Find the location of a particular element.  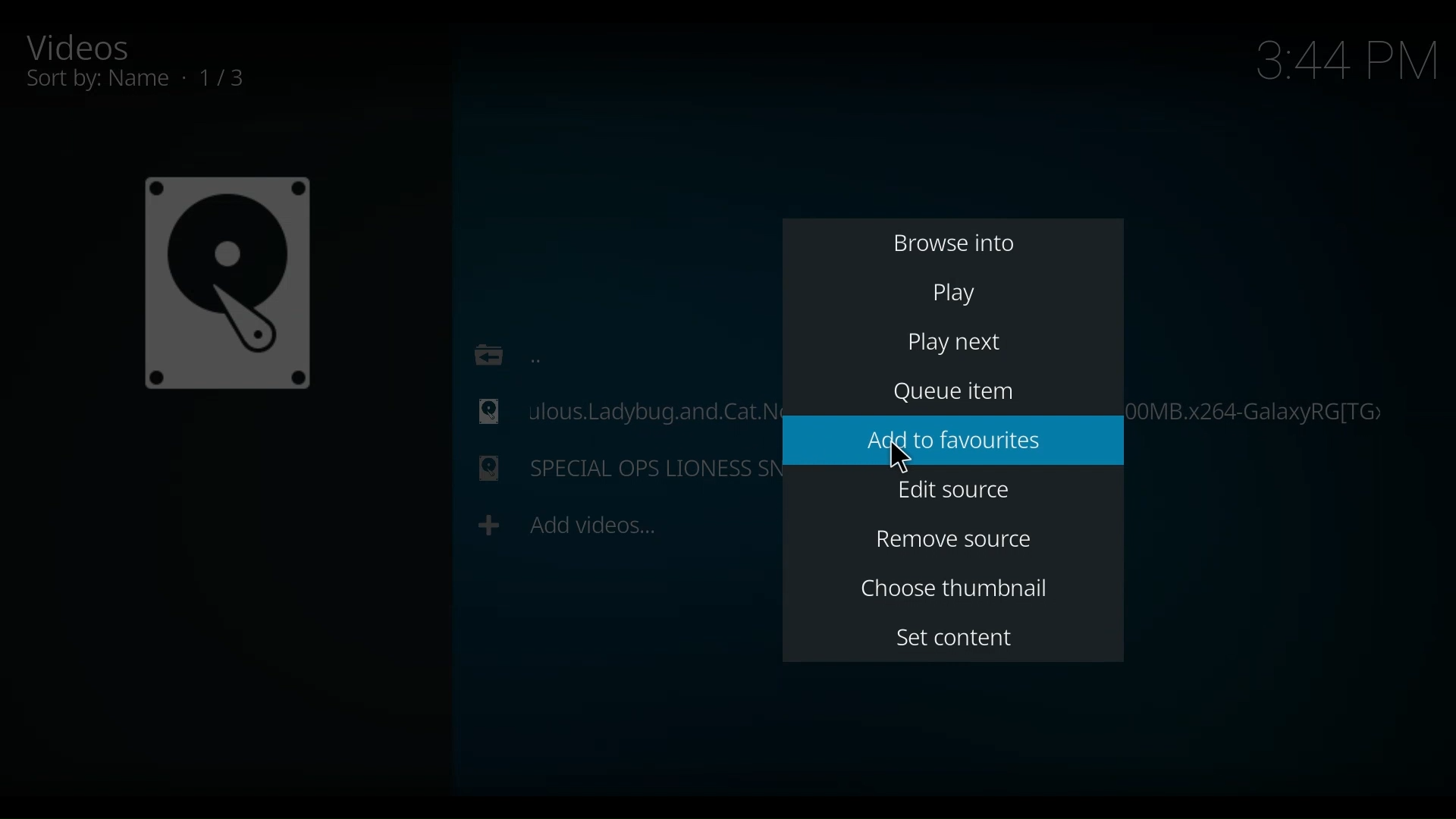

Browse into is located at coordinates (955, 242).